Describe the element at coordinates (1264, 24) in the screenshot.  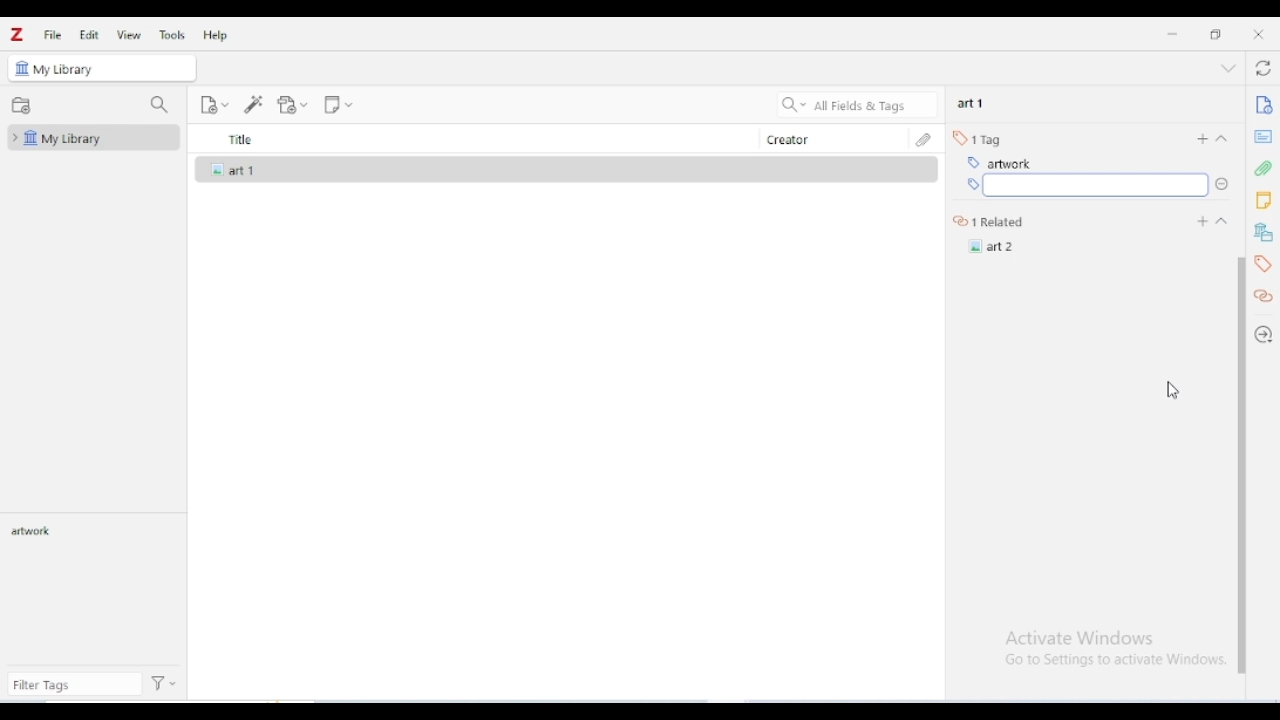
I see `Close` at that location.